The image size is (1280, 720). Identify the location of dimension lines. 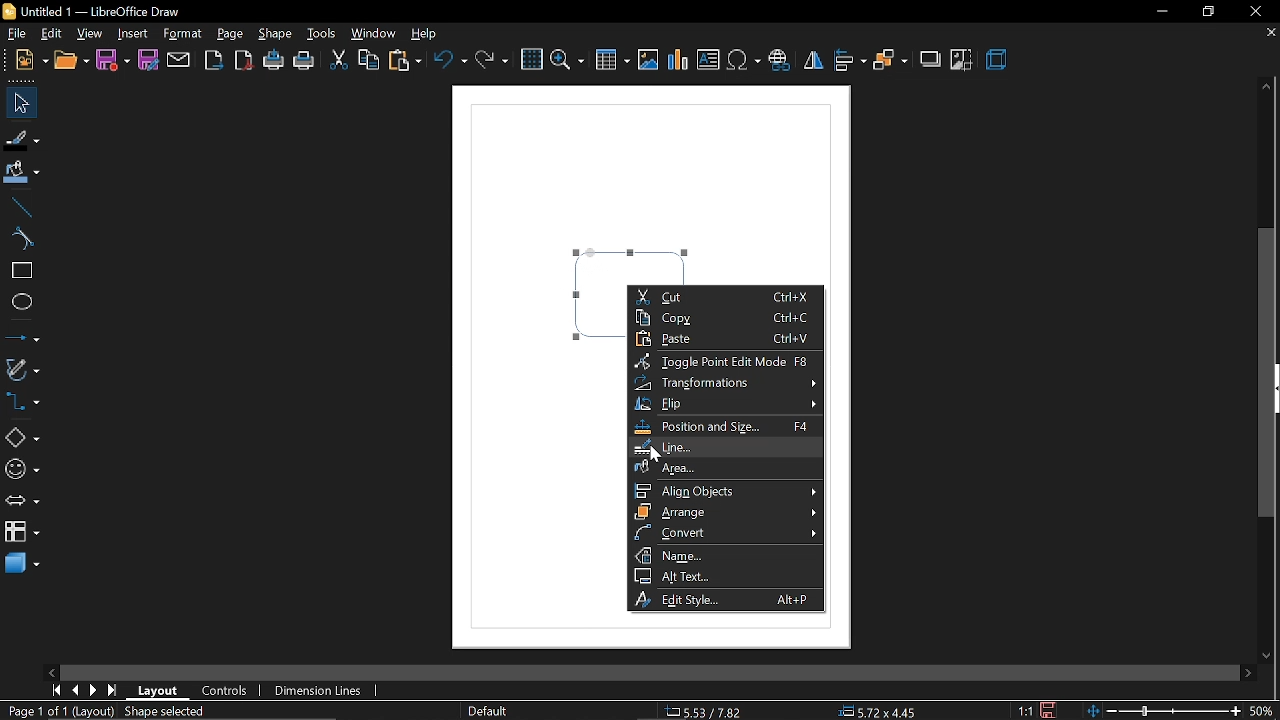
(319, 692).